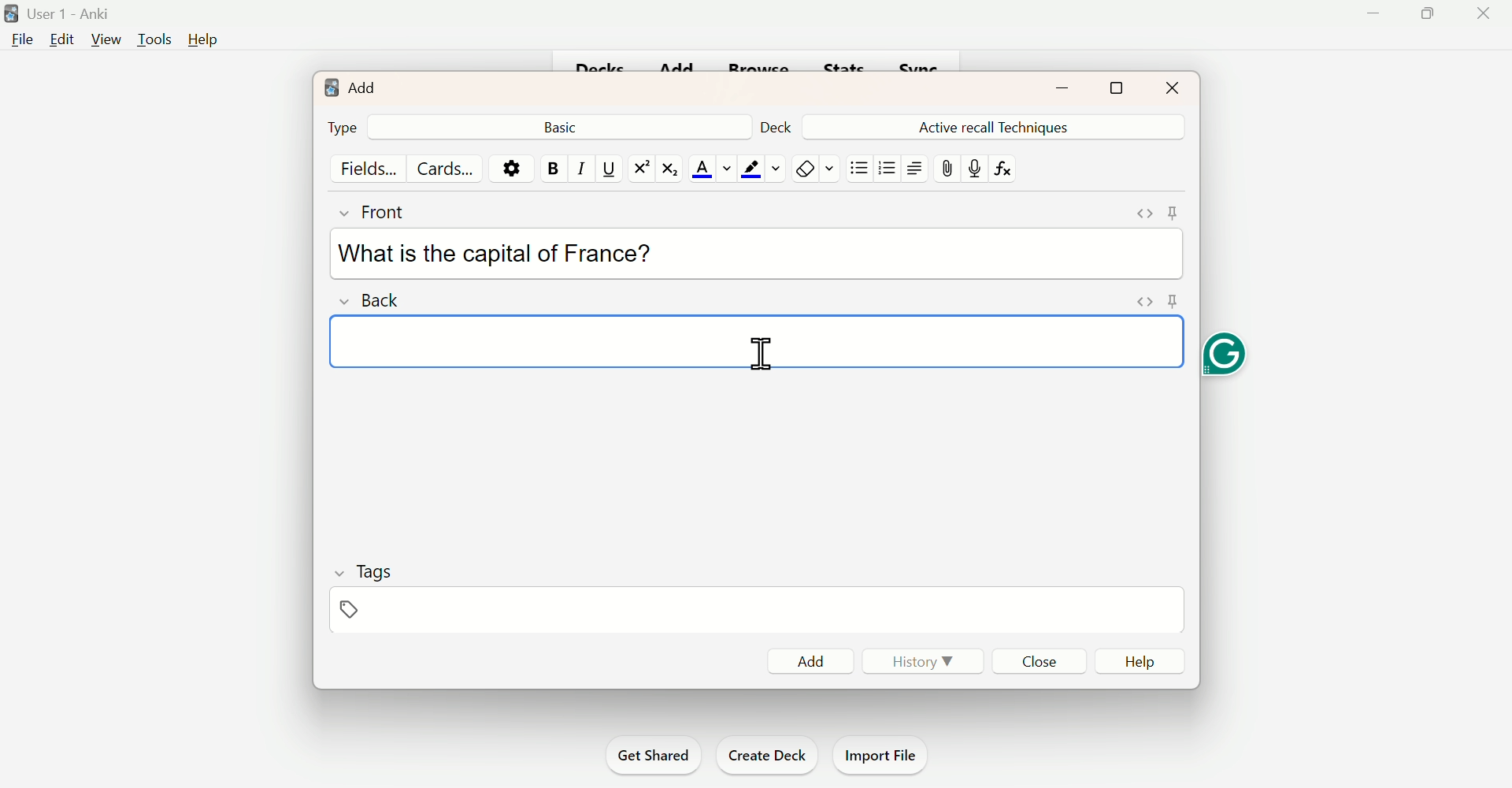 The height and width of the screenshot is (788, 1512). Describe the element at coordinates (1169, 86) in the screenshot. I see `Close` at that location.